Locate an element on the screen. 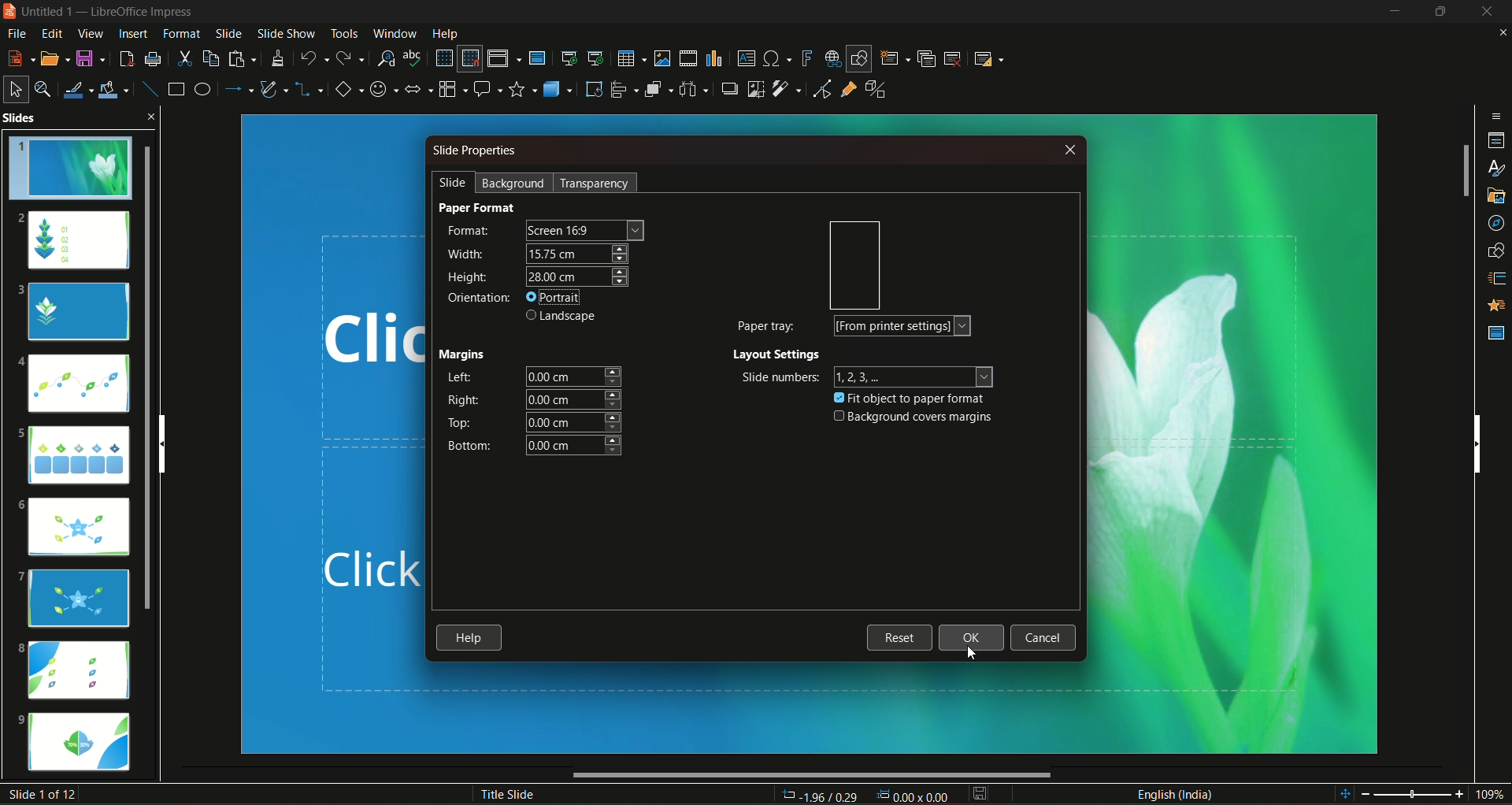 The image size is (1512, 805). insert audio/video is located at coordinates (689, 59).